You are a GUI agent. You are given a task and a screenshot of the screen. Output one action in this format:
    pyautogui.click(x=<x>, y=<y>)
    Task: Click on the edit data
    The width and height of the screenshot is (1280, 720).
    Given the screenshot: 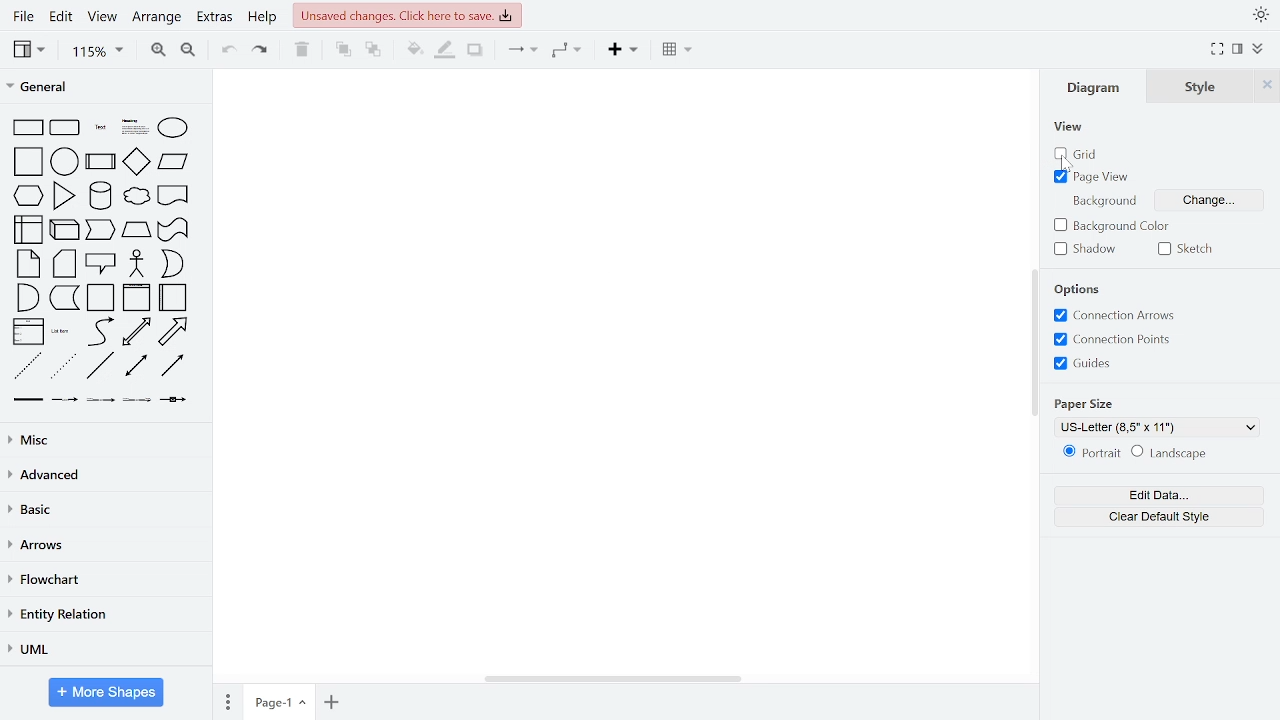 What is the action you would take?
    pyautogui.click(x=1158, y=496)
    